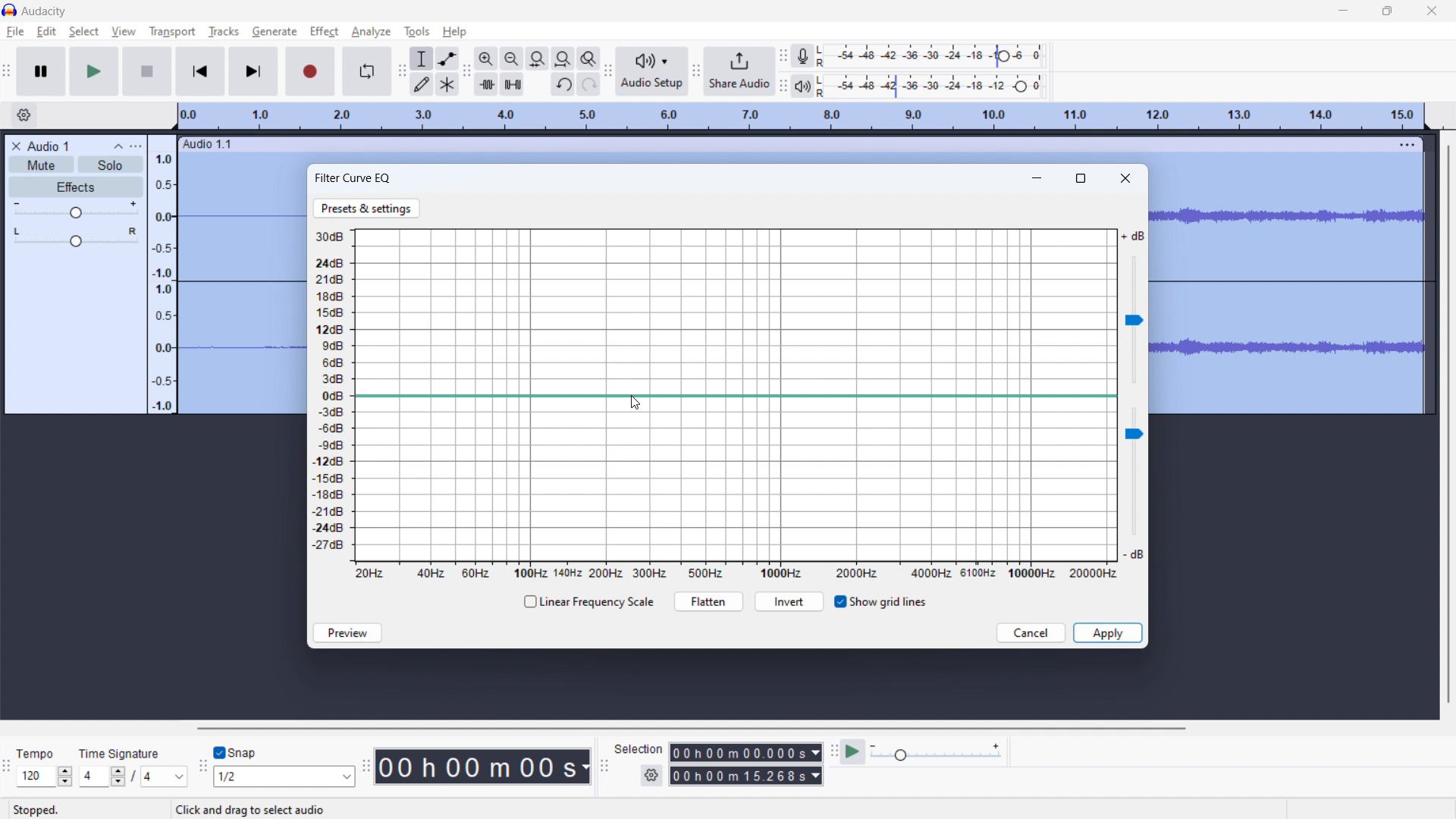 The width and height of the screenshot is (1456, 819). I want to click on horizontal scrollbar, so click(689, 728).